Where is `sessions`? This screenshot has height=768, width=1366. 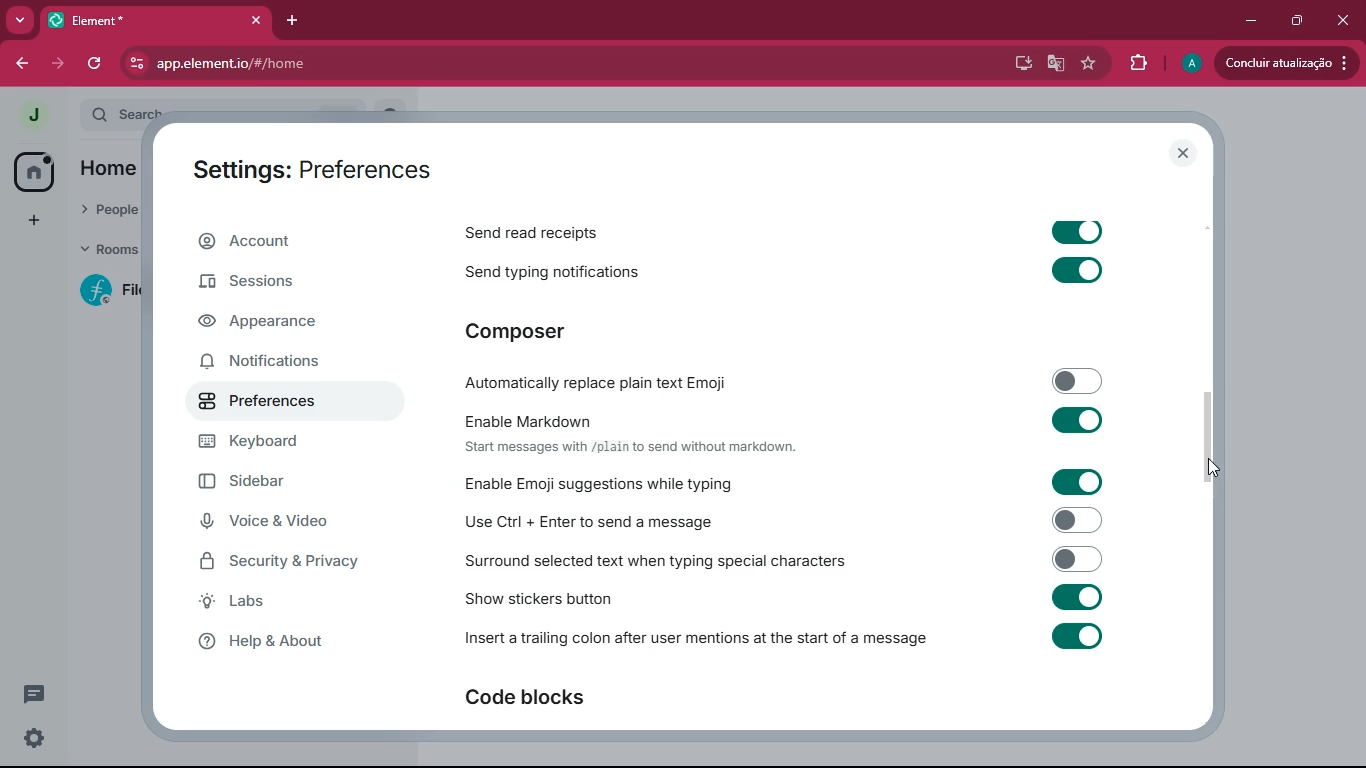 sessions is located at coordinates (282, 286).